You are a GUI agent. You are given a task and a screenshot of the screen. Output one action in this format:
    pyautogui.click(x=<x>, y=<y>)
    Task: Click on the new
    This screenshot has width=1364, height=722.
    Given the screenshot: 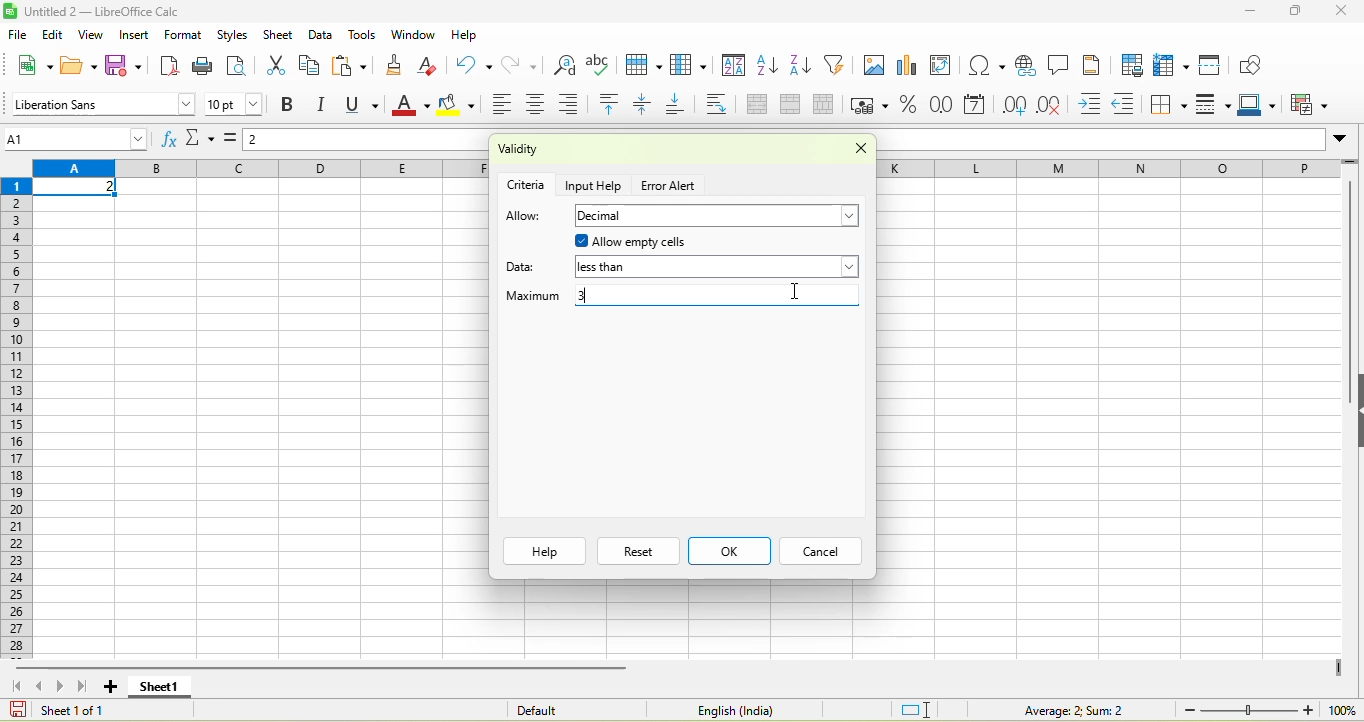 What is the action you would take?
    pyautogui.click(x=33, y=64)
    